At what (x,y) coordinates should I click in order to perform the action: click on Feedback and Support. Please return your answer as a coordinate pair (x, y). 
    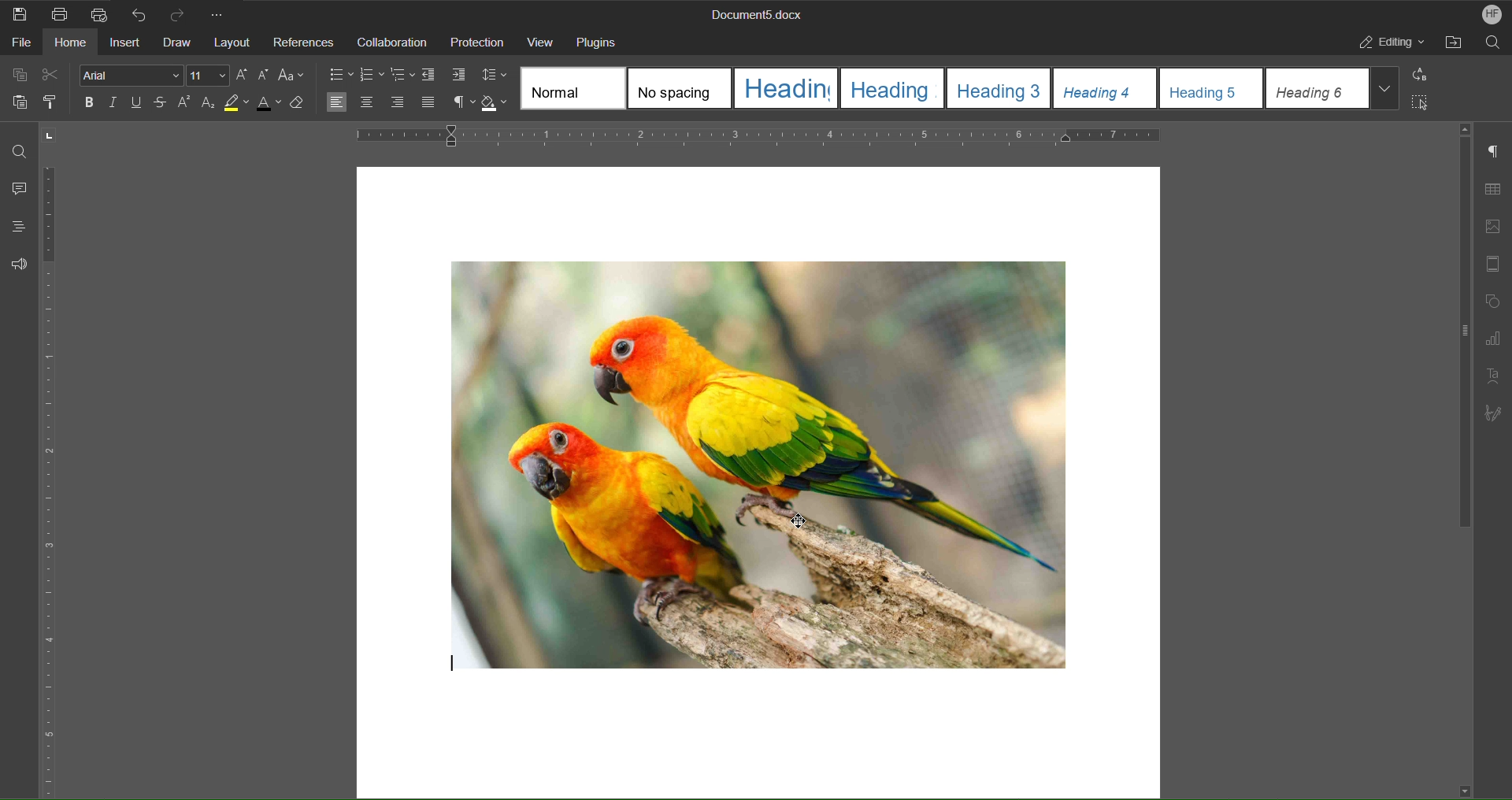
    Looking at the image, I should click on (19, 264).